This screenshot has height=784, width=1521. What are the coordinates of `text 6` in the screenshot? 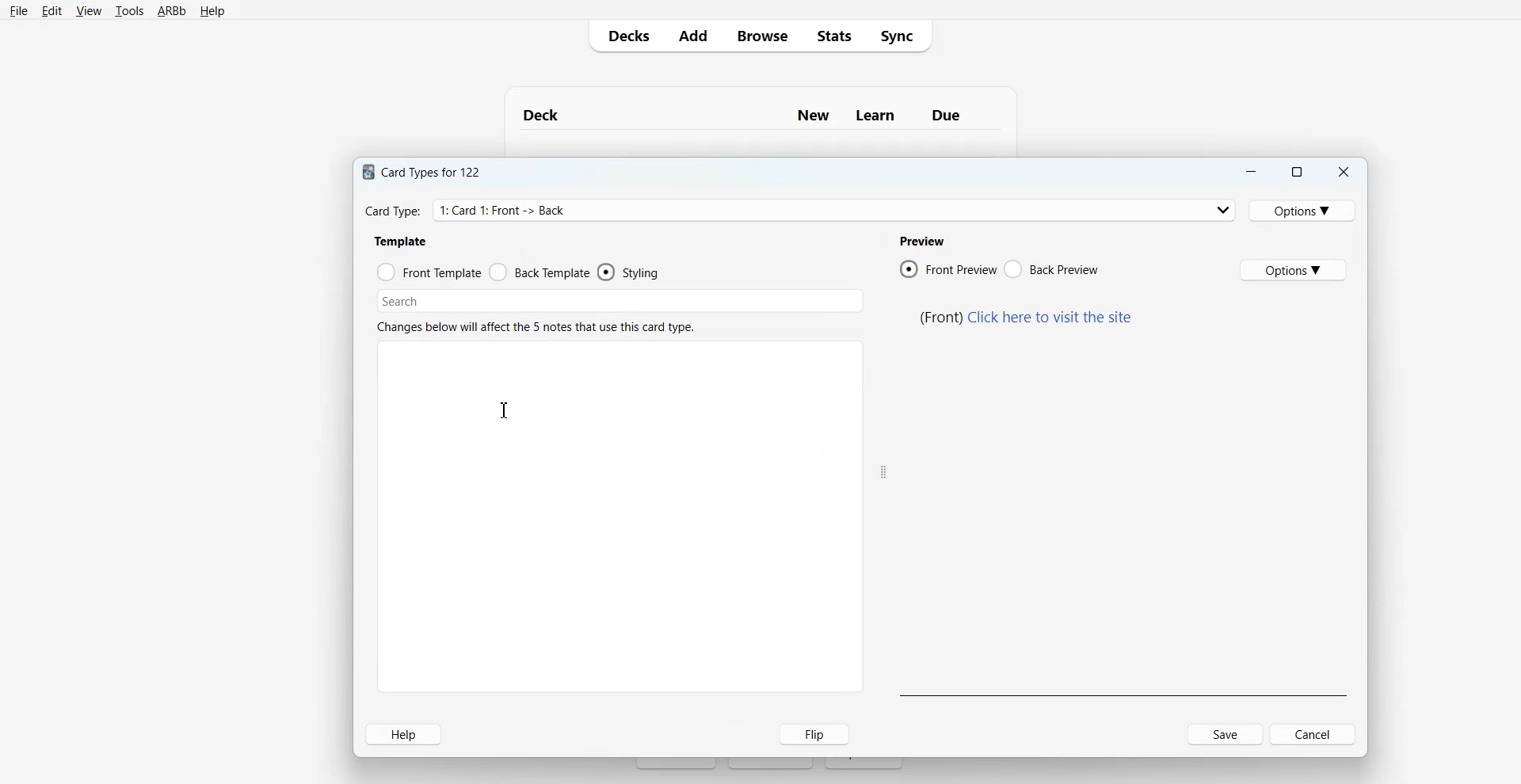 It's located at (538, 326).